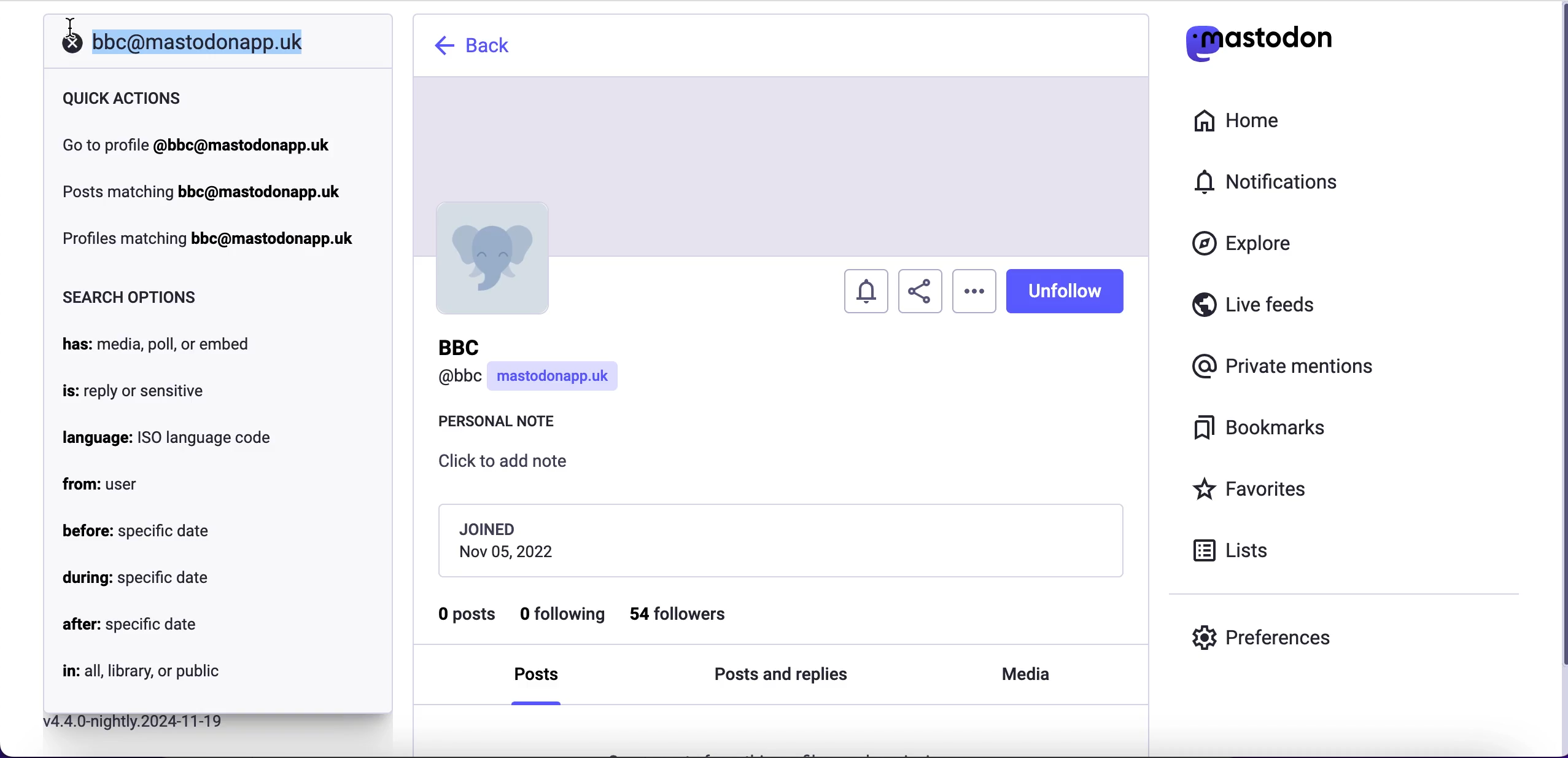 The image size is (1568, 758). What do you see at coordinates (212, 240) in the screenshot?
I see `profiles matching` at bounding box center [212, 240].